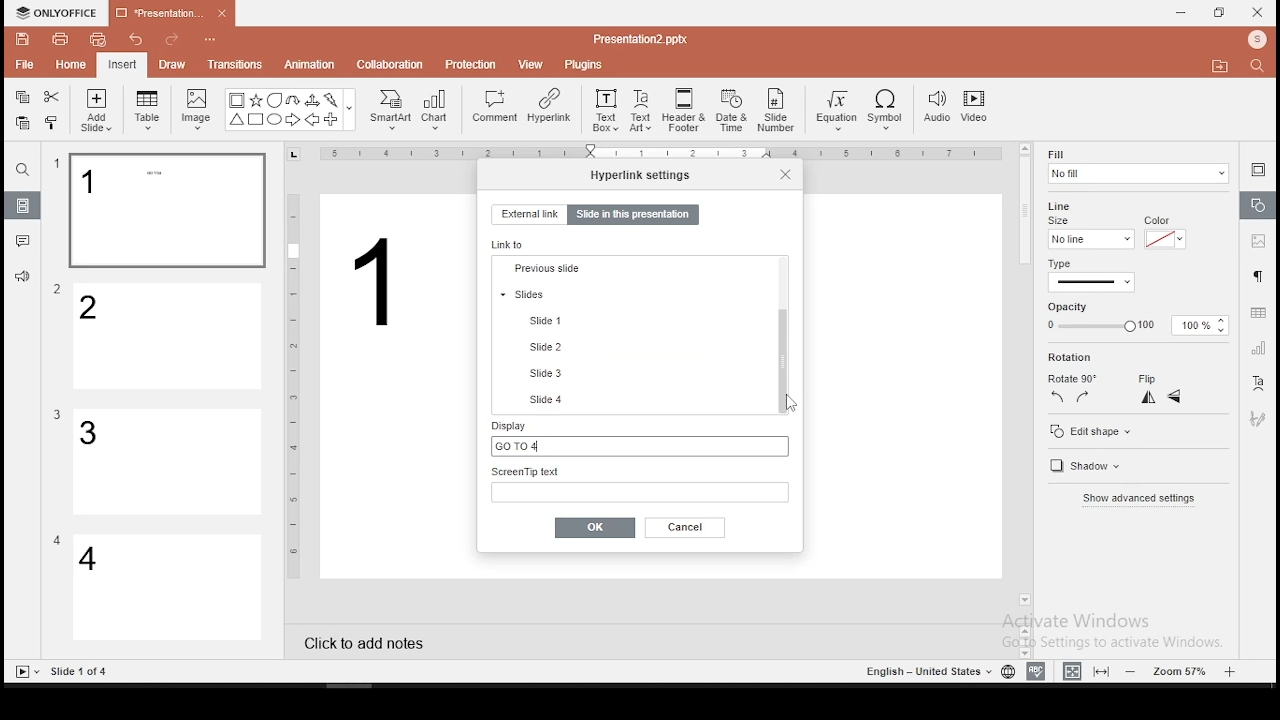 Image resolution: width=1280 pixels, height=720 pixels. What do you see at coordinates (22, 97) in the screenshot?
I see `copy` at bounding box center [22, 97].